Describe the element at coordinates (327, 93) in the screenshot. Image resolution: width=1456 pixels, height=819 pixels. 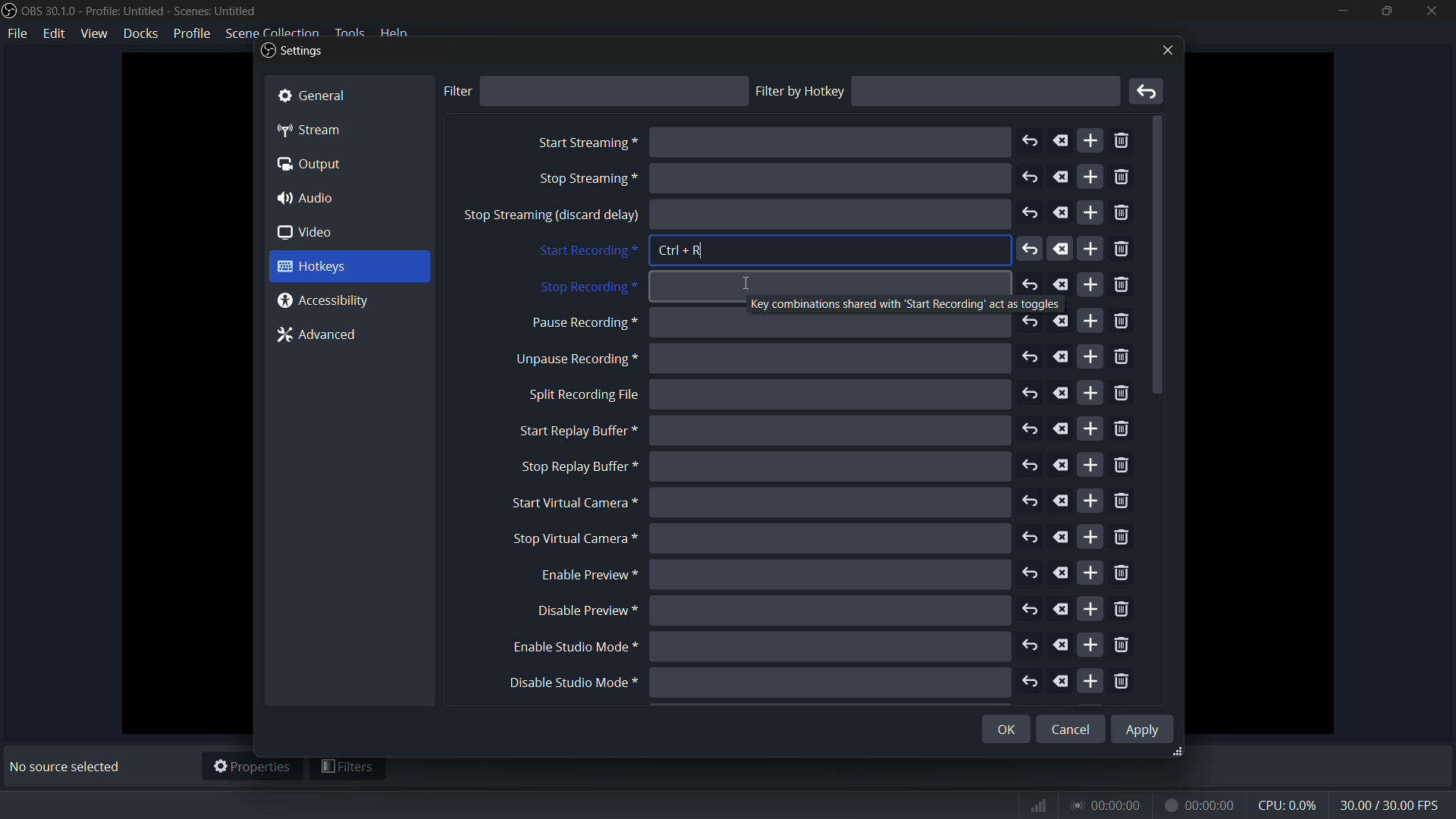
I see `& General` at that location.